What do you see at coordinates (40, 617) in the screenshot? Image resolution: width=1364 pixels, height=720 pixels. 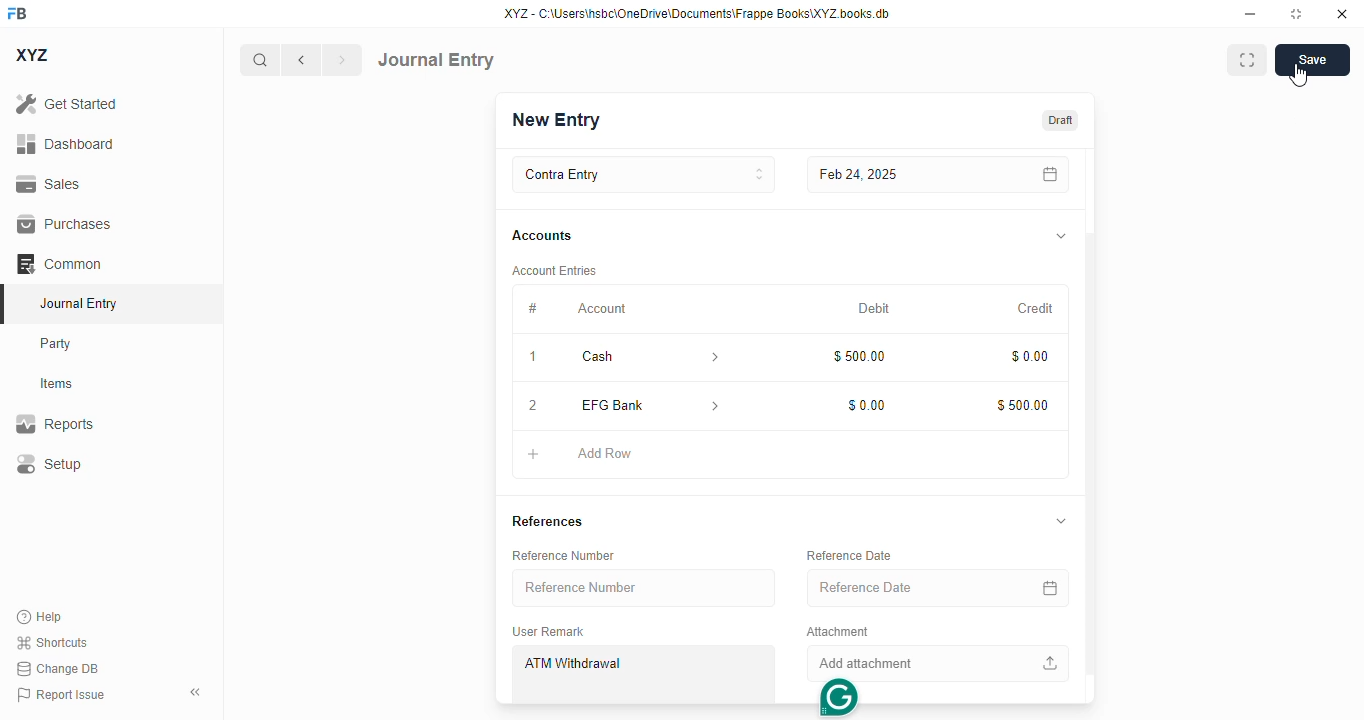 I see `help` at bounding box center [40, 617].